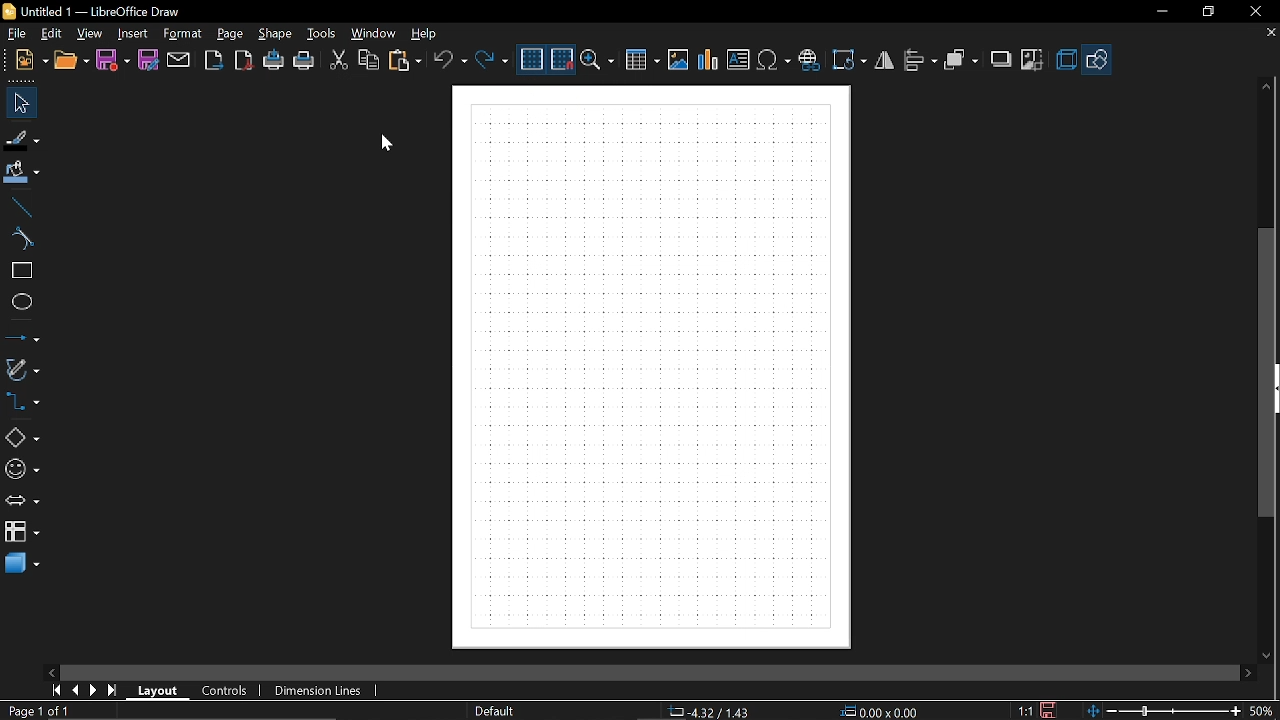  Describe the element at coordinates (851, 59) in the screenshot. I see `Transfromation` at that location.